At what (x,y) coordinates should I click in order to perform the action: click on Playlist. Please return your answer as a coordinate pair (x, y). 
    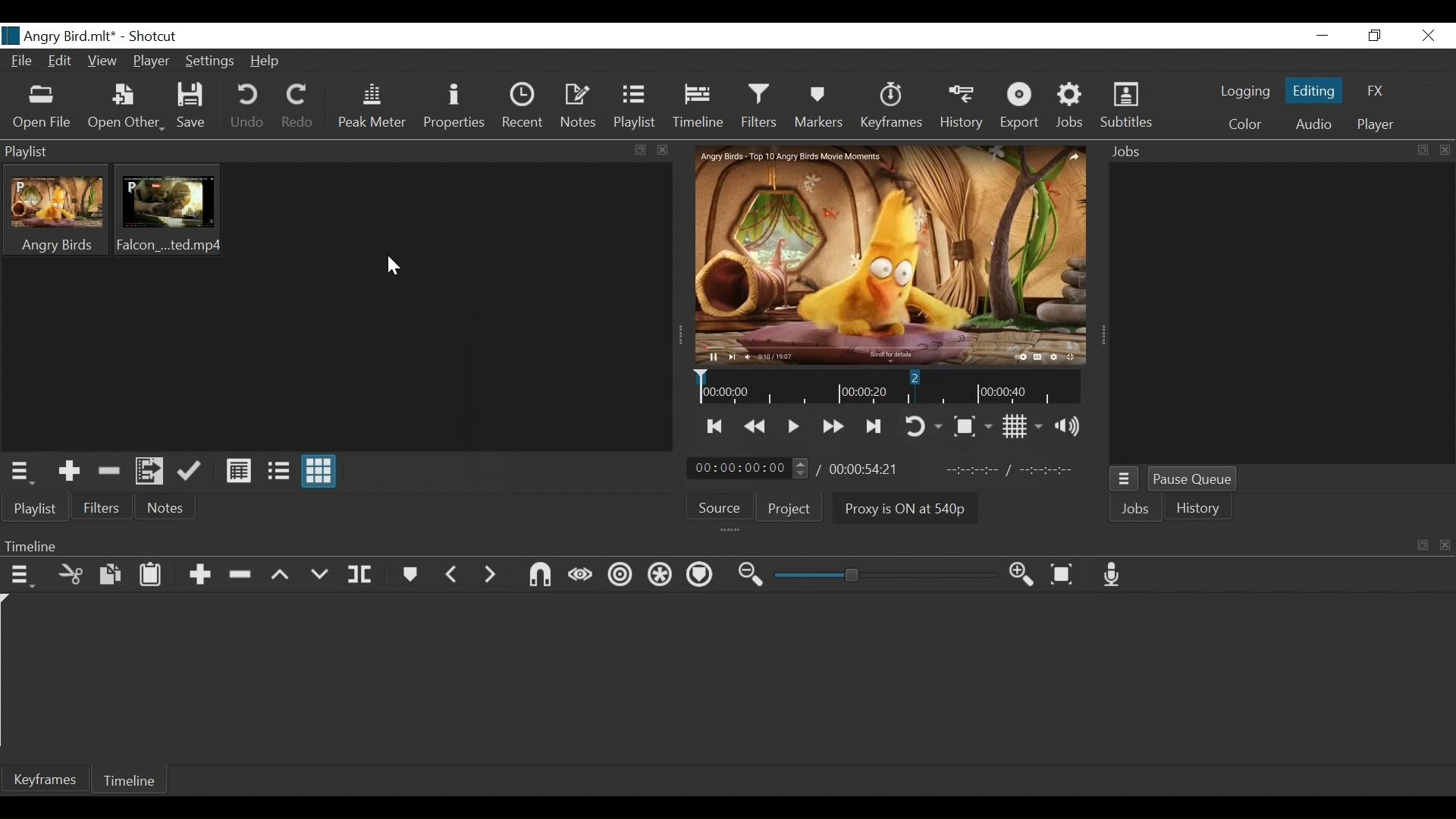
    Looking at the image, I should click on (635, 106).